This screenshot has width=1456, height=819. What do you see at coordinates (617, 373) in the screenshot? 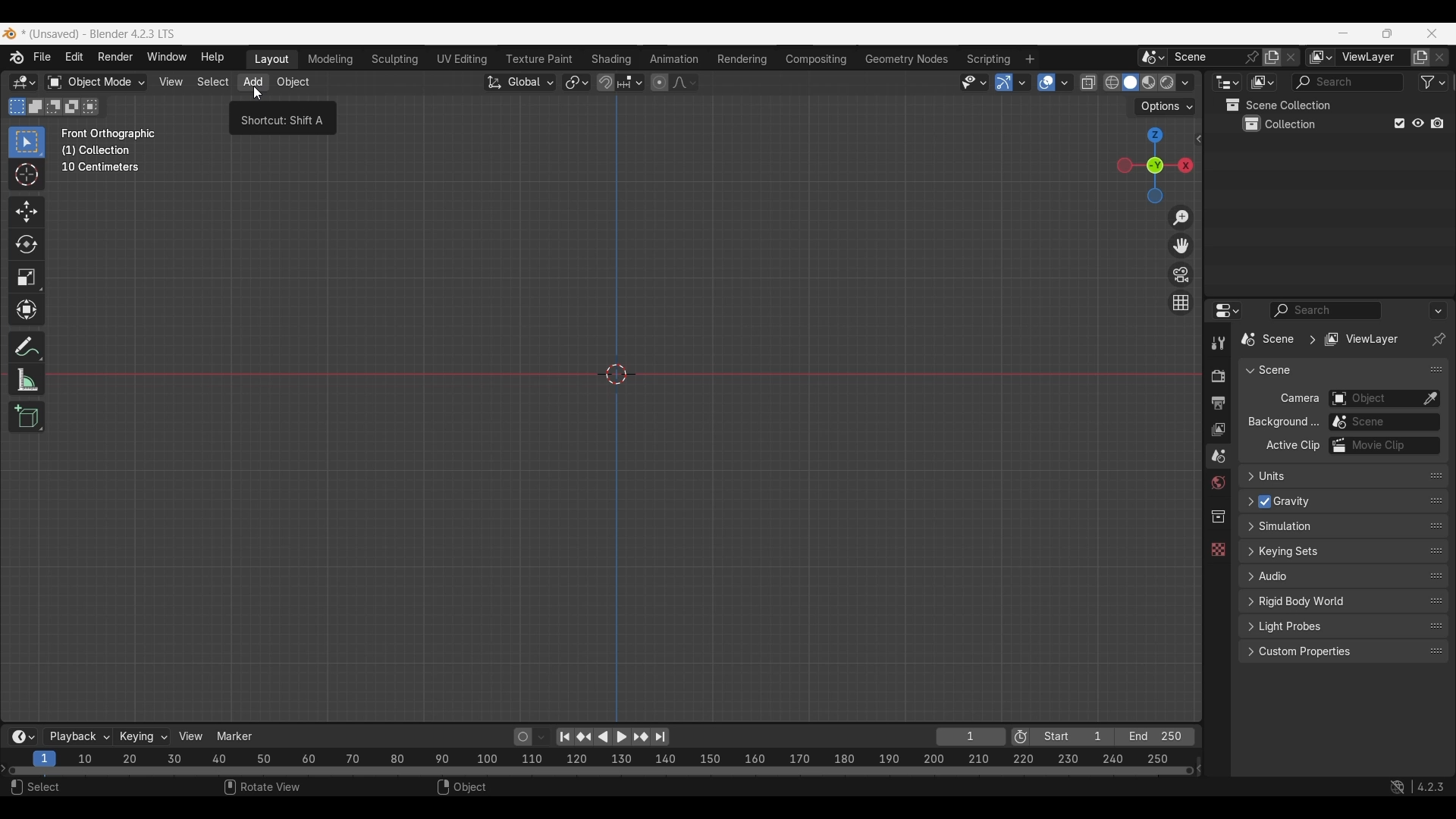
I see `Cursor at the center point of the frame` at bounding box center [617, 373].